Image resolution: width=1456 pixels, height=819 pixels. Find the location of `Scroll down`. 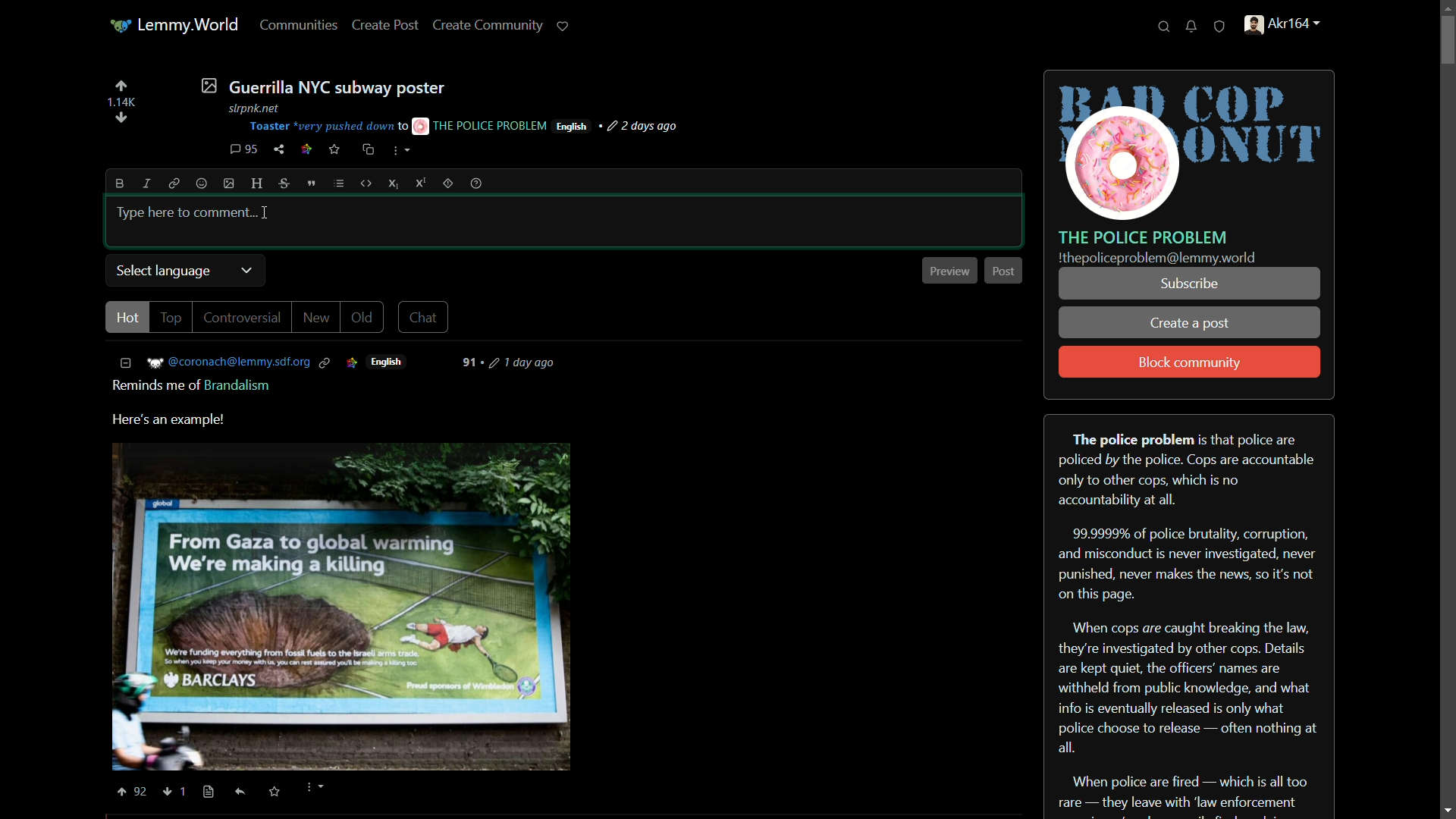

Scroll down is located at coordinates (1444, 809).